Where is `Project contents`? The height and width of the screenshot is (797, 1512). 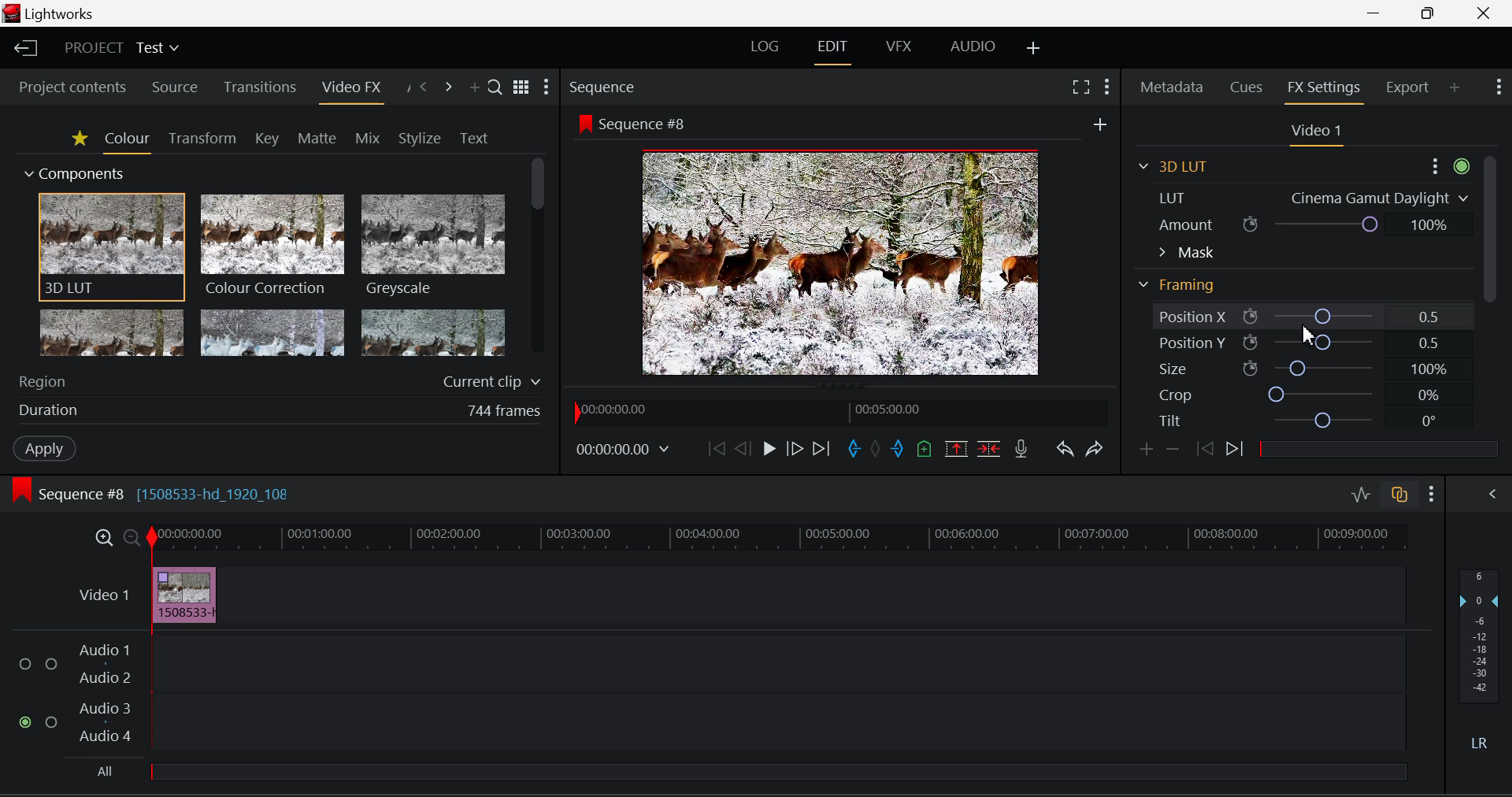 Project contents is located at coordinates (72, 89).